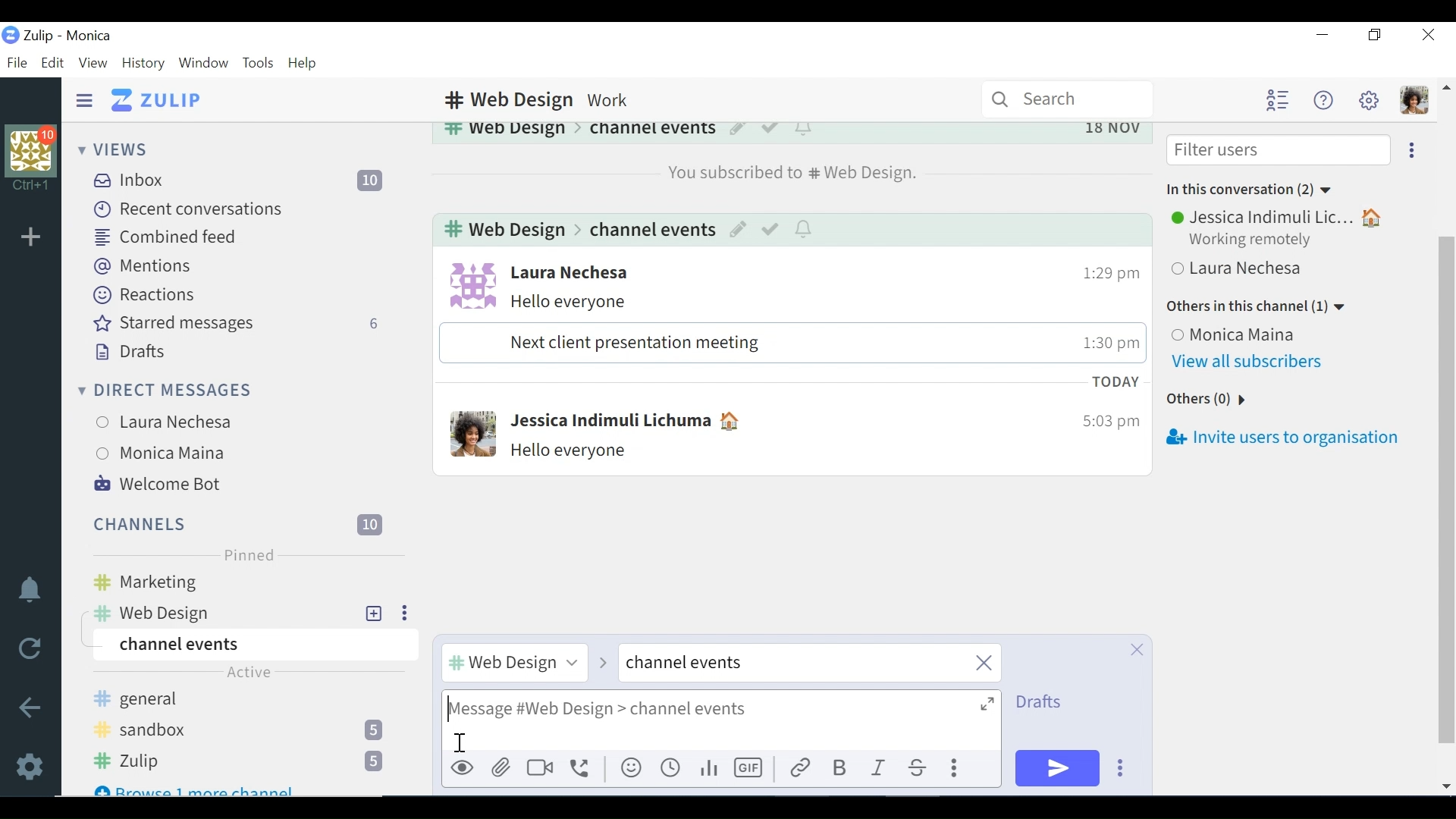 Image resolution: width=1456 pixels, height=819 pixels. What do you see at coordinates (238, 324) in the screenshot?
I see `Starred messages` at bounding box center [238, 324].